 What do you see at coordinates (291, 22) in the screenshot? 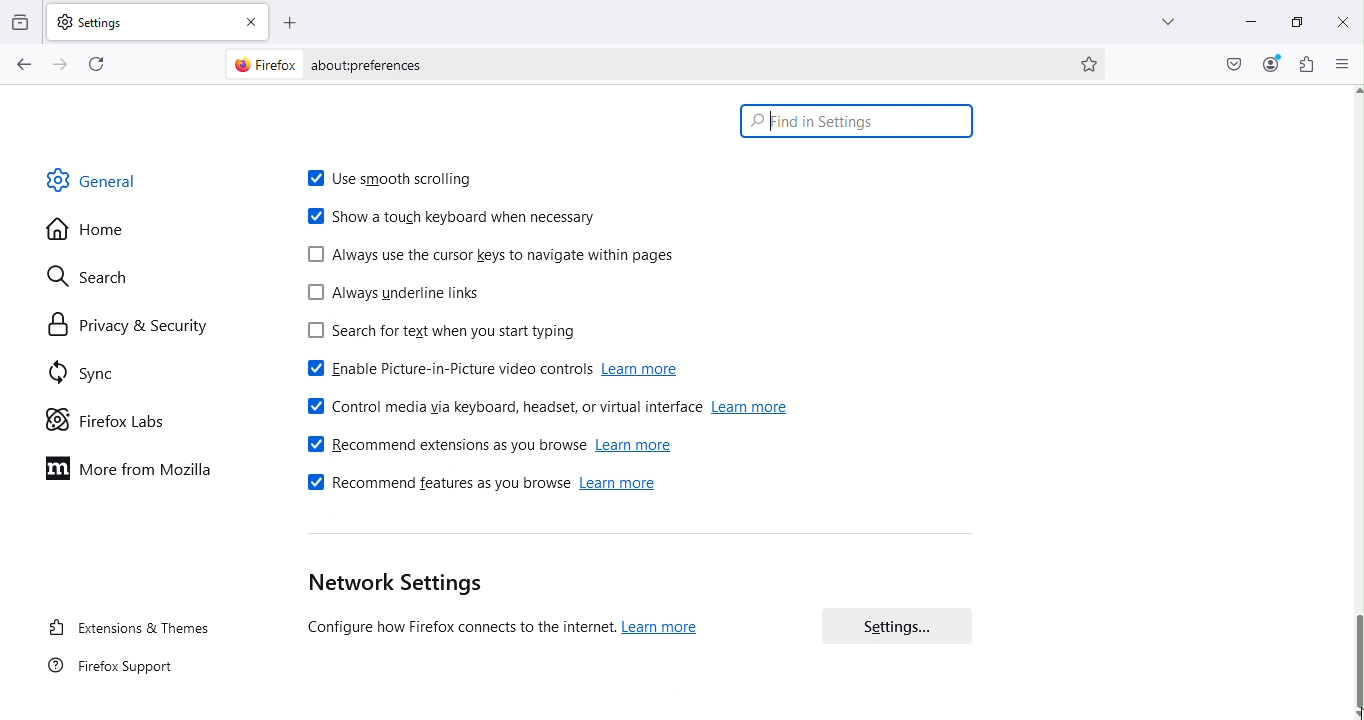
I see `Open a new tab` at bounding box center [291, 22].